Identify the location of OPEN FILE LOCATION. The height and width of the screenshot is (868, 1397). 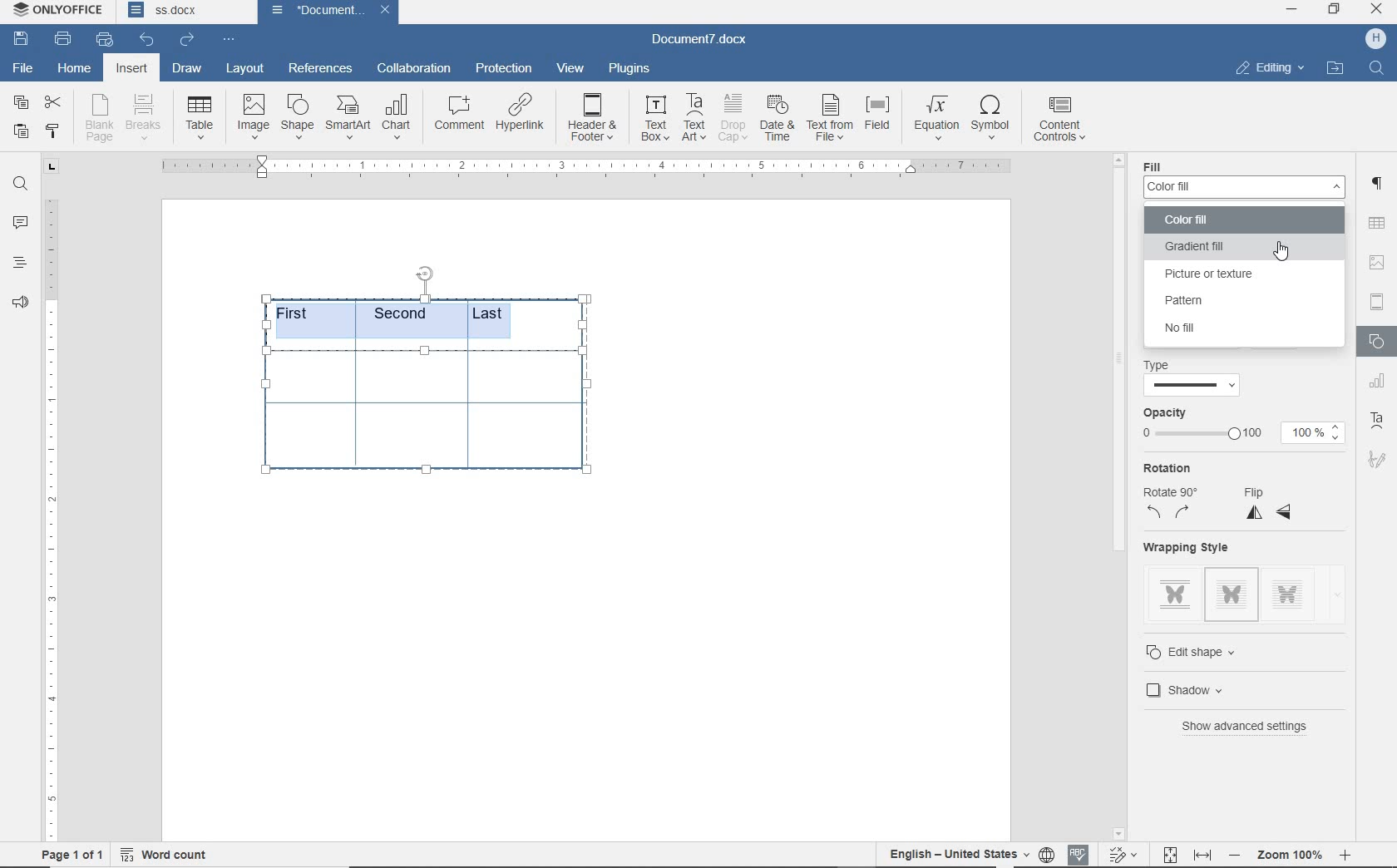
(1336, 68).